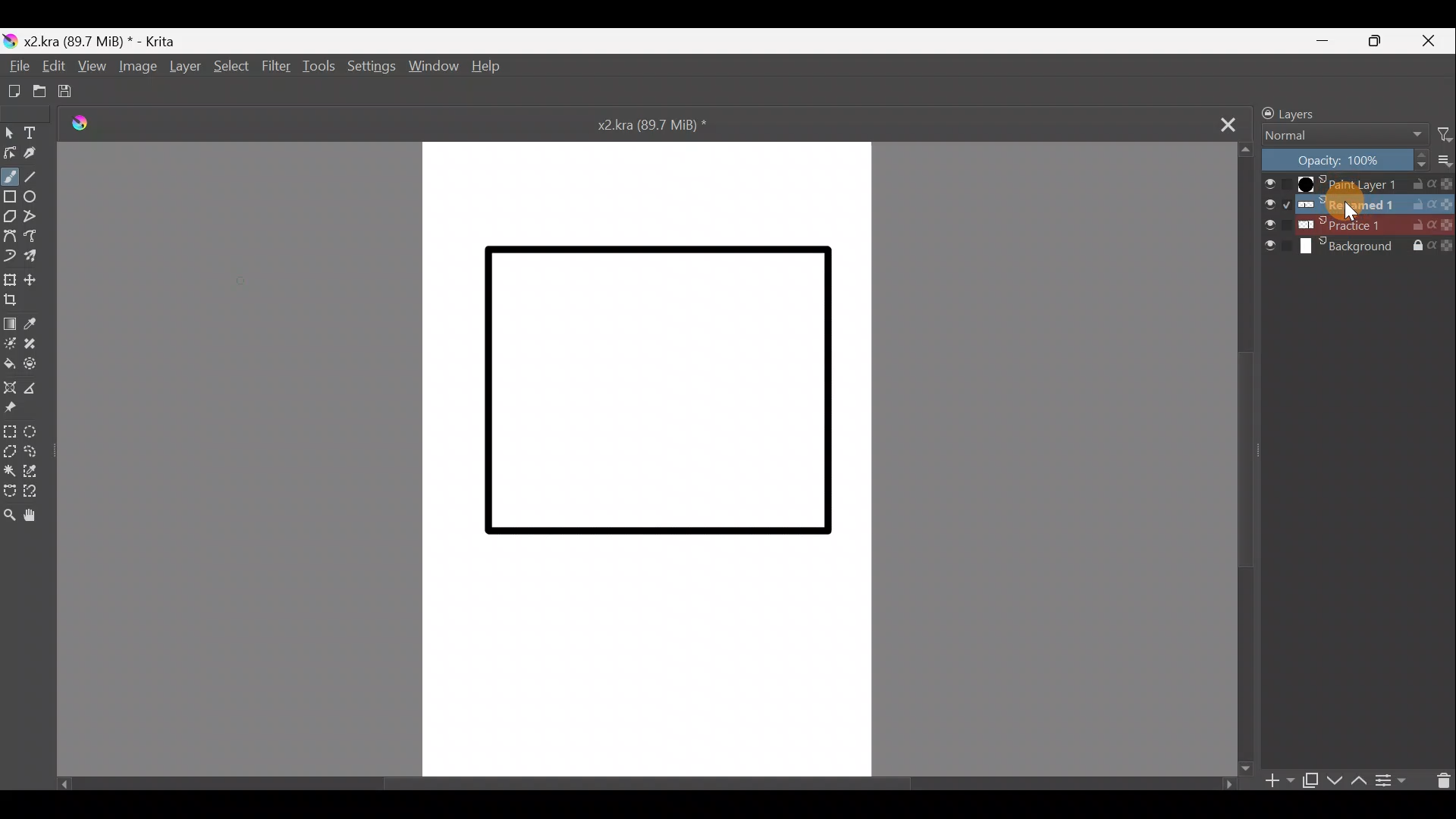 The width and height of the screenshot is (1456, 819). I want to click on Crop image to an area, so click(18, 301).